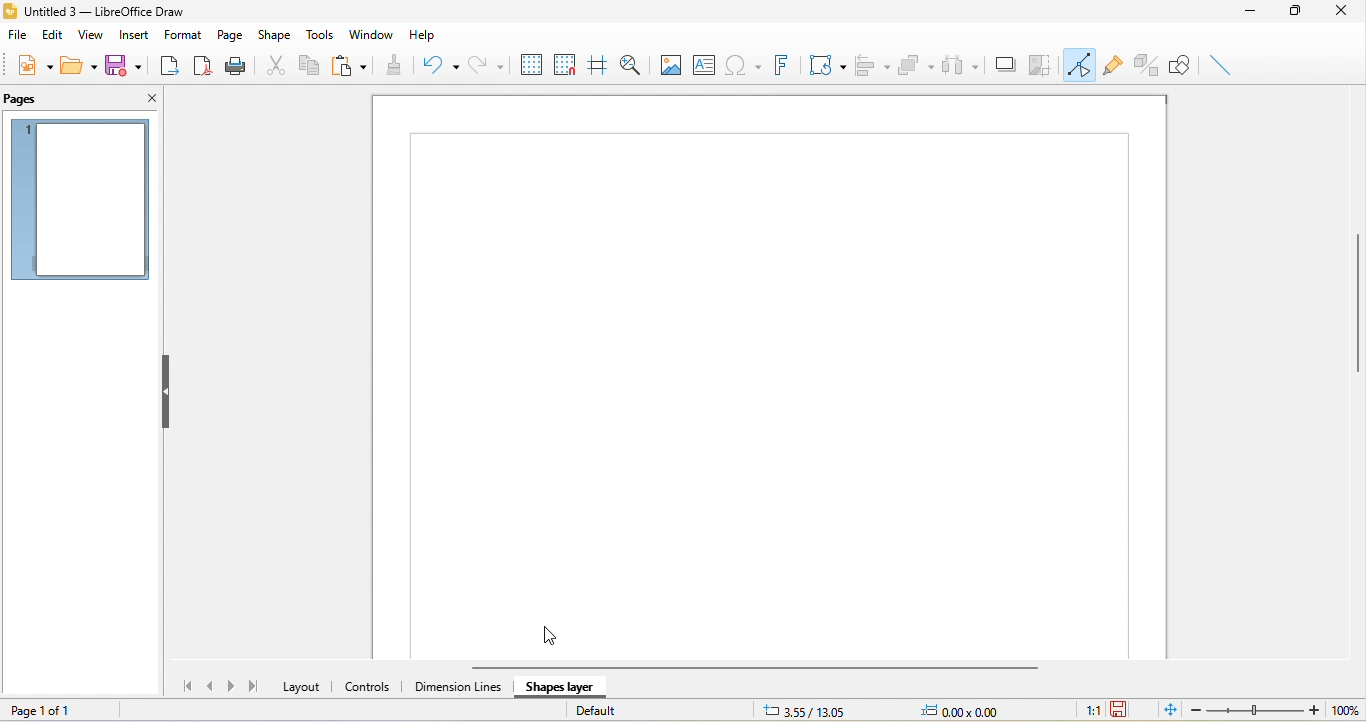 Image resolution: width=1366 pixels, height=722 pixels. Describe the element at coordinates (203, 65) in the screenshot. I see `export direct as pdf` at that location.